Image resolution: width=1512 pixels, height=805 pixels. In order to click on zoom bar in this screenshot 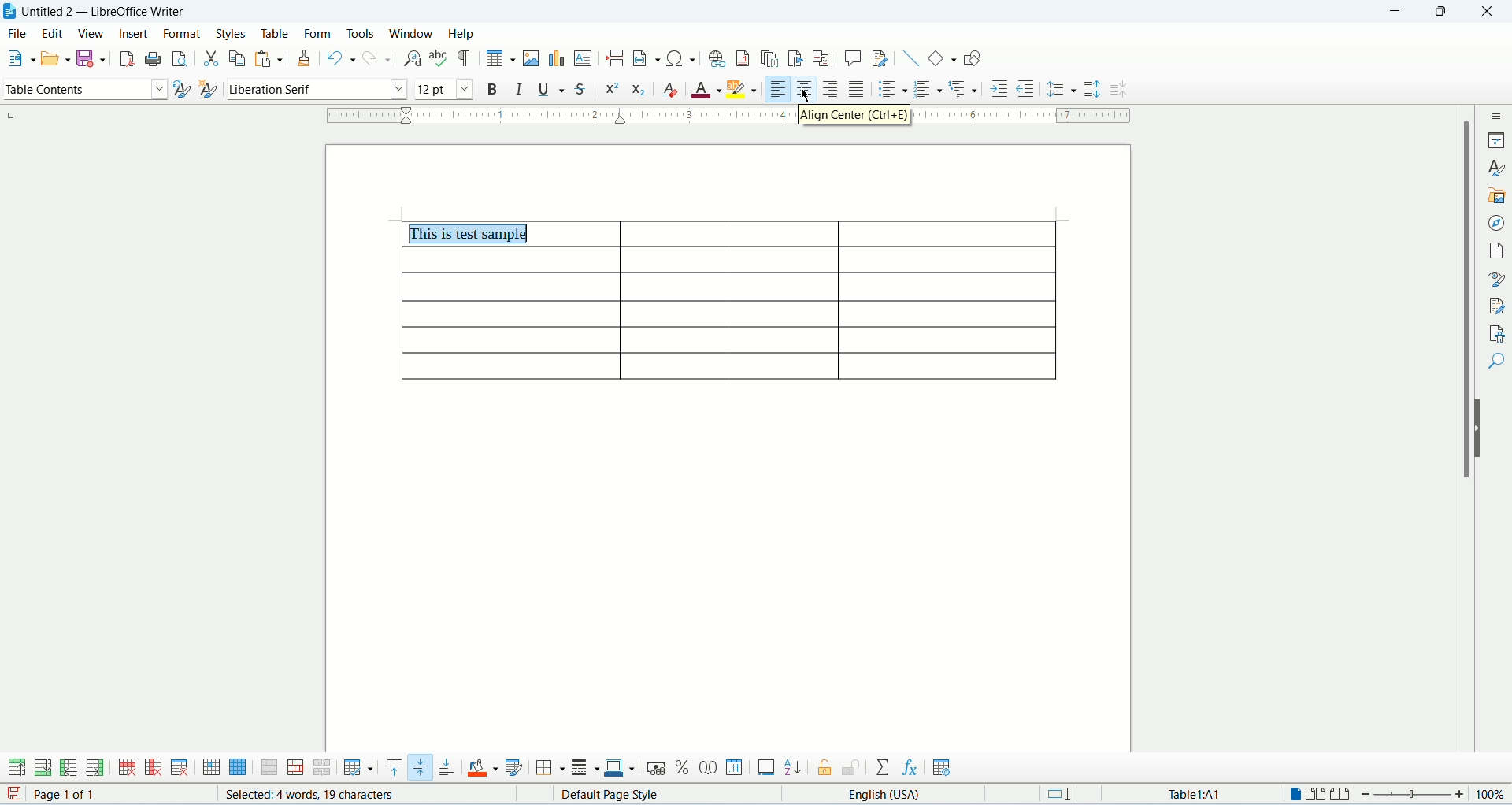, I will do `click(1416, 796)`.